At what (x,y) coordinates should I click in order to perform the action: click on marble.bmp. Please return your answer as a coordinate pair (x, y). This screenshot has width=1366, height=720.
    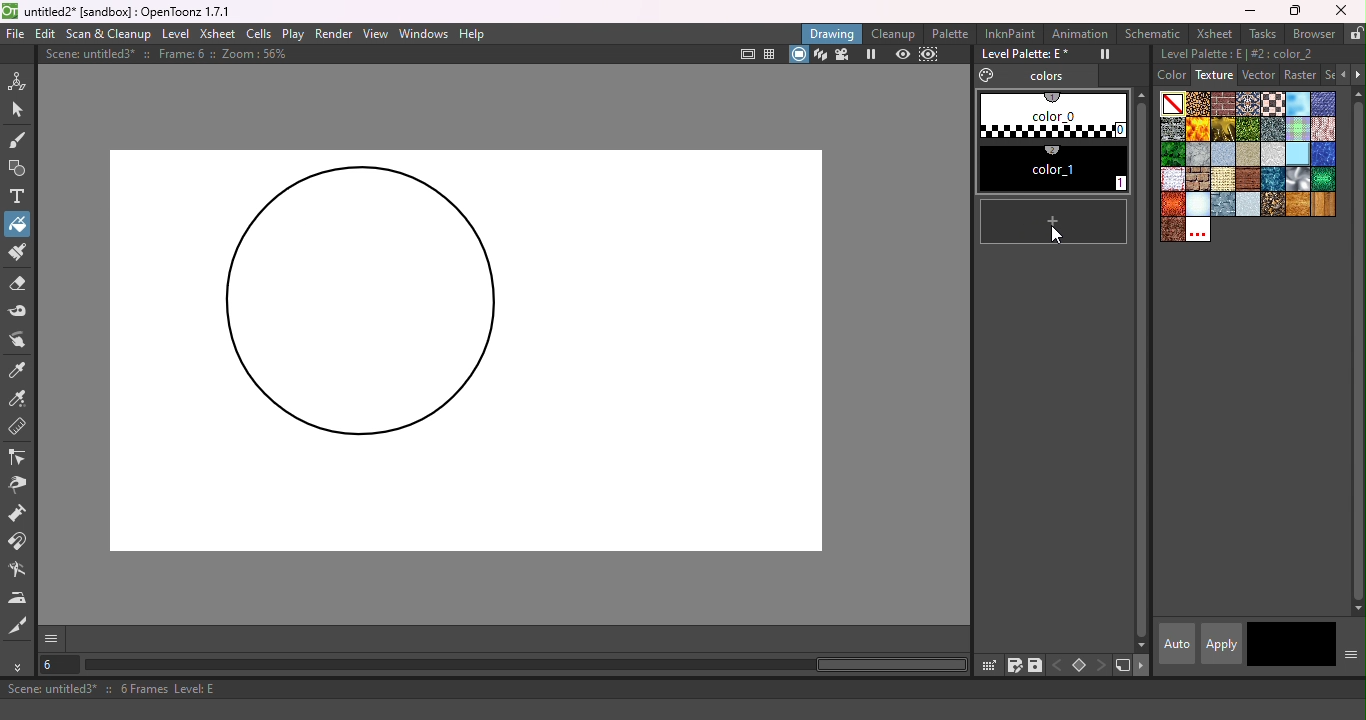
    Looking at the image, I should click on (1198, 154).